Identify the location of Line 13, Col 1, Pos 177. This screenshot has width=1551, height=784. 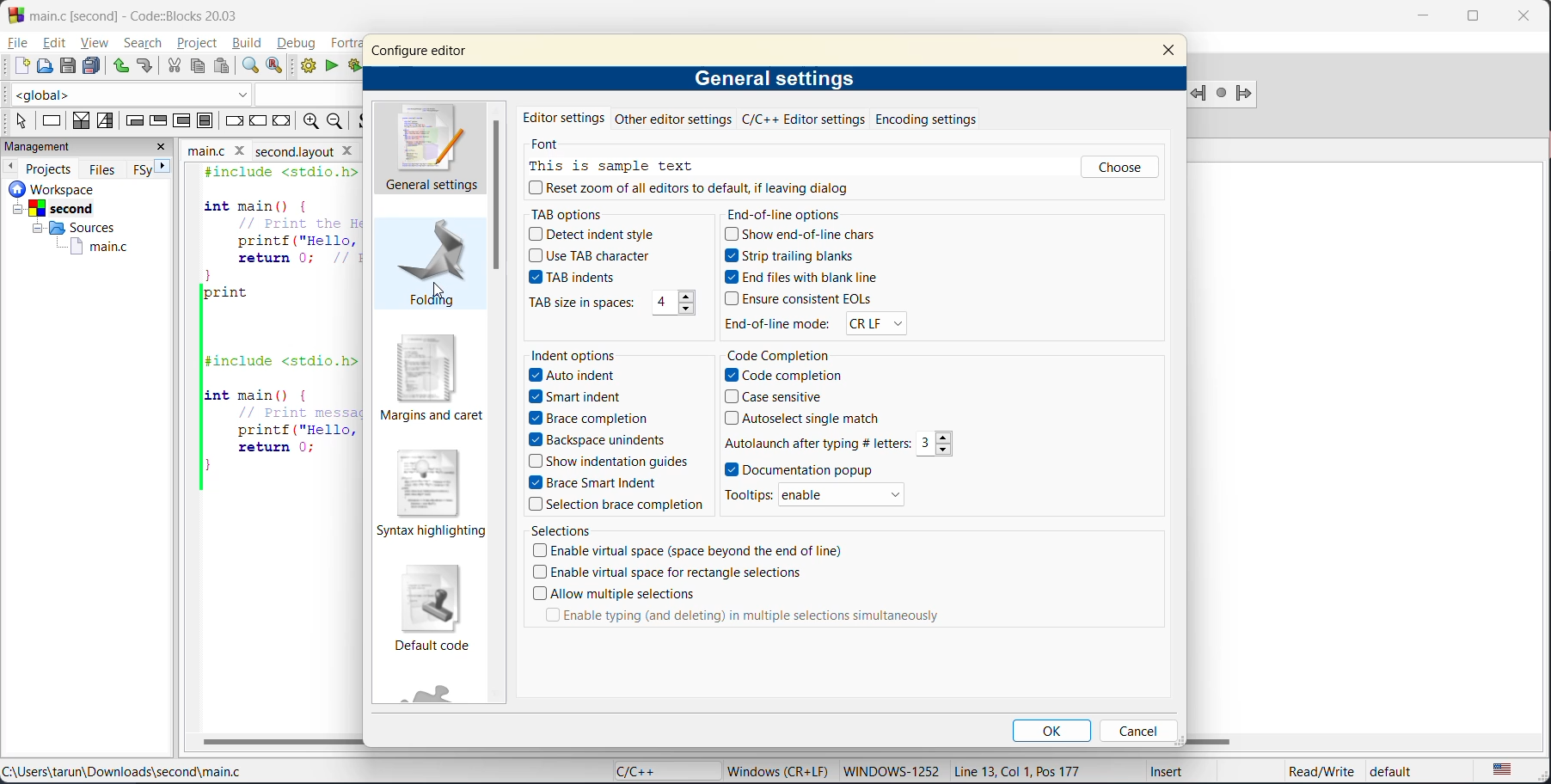
(1027, 769).